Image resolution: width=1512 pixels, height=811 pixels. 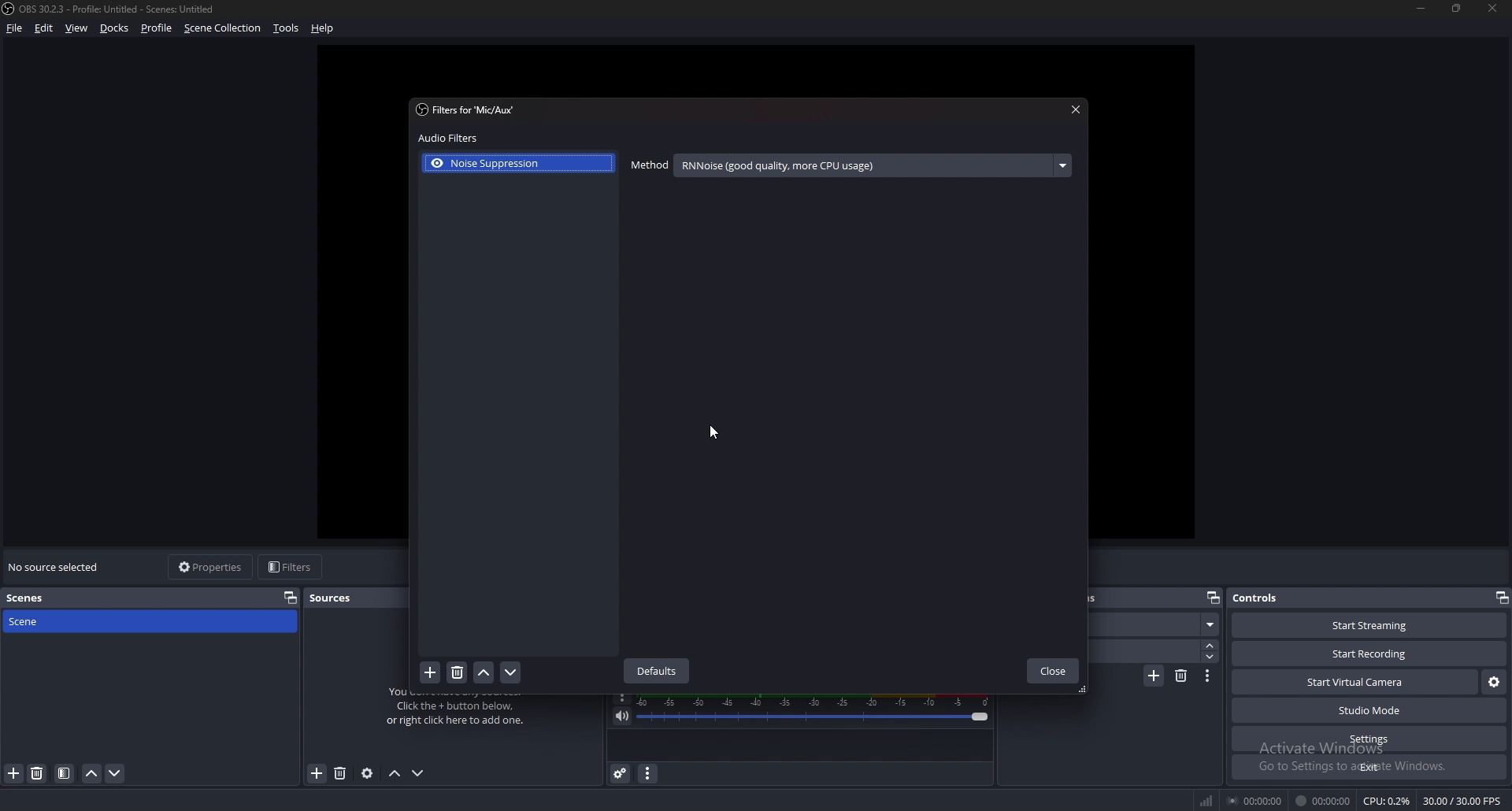 I want to click on filters, so click(x=292, y=567).